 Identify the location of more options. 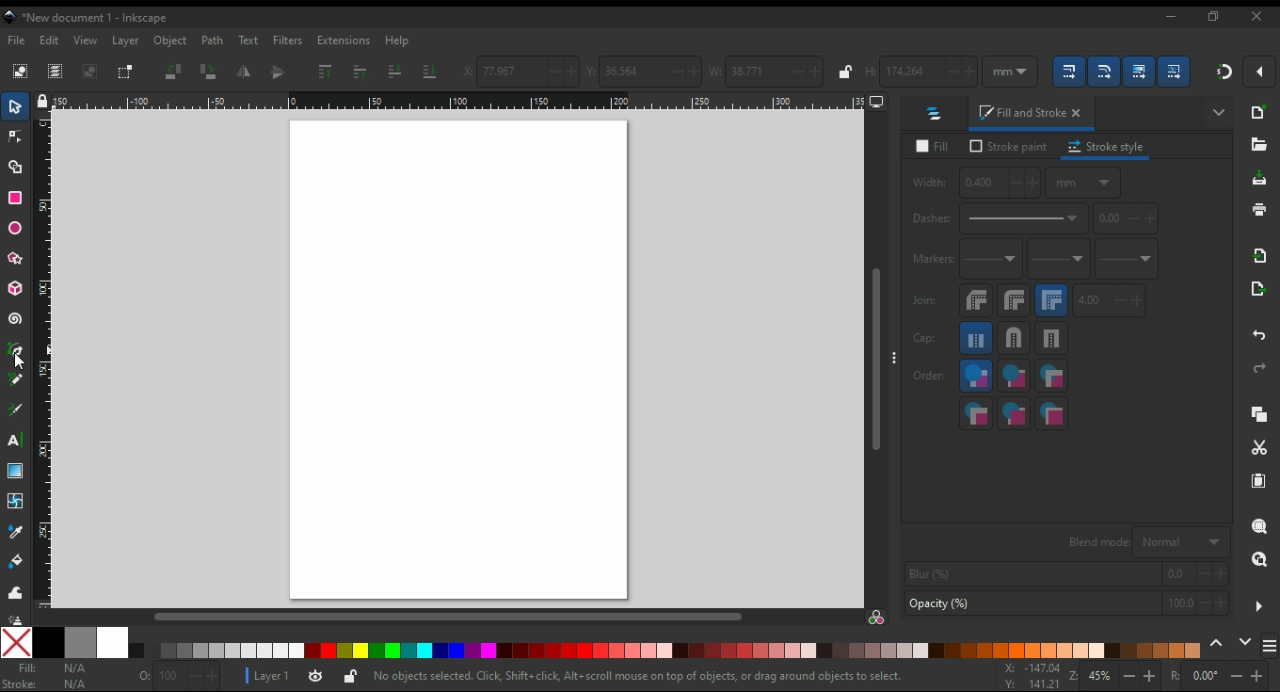
(895, 359).